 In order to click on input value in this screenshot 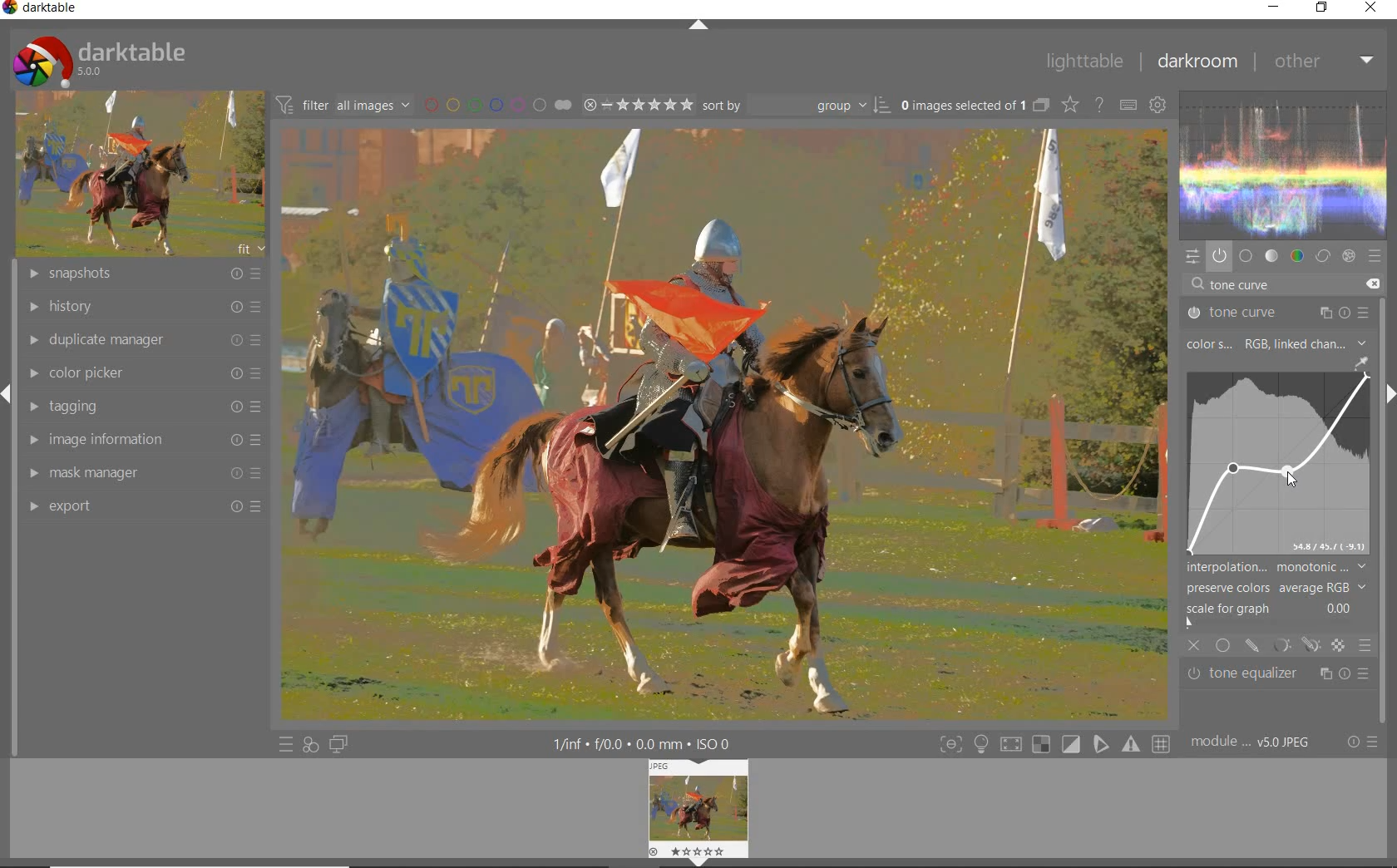, I will do `click(1243, 286)`.